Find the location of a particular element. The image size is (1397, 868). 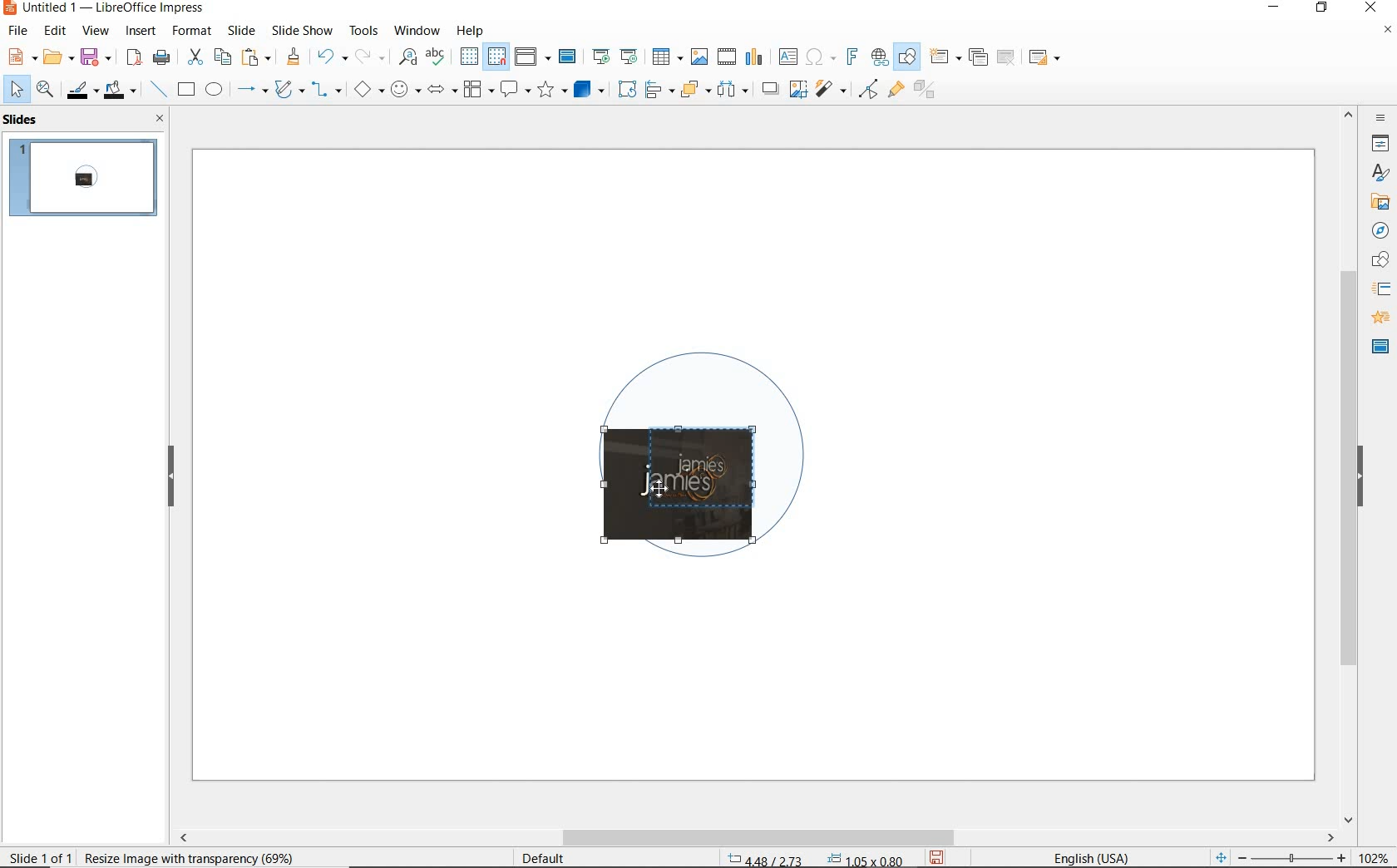

crop image is located at coordinates (797, 87).